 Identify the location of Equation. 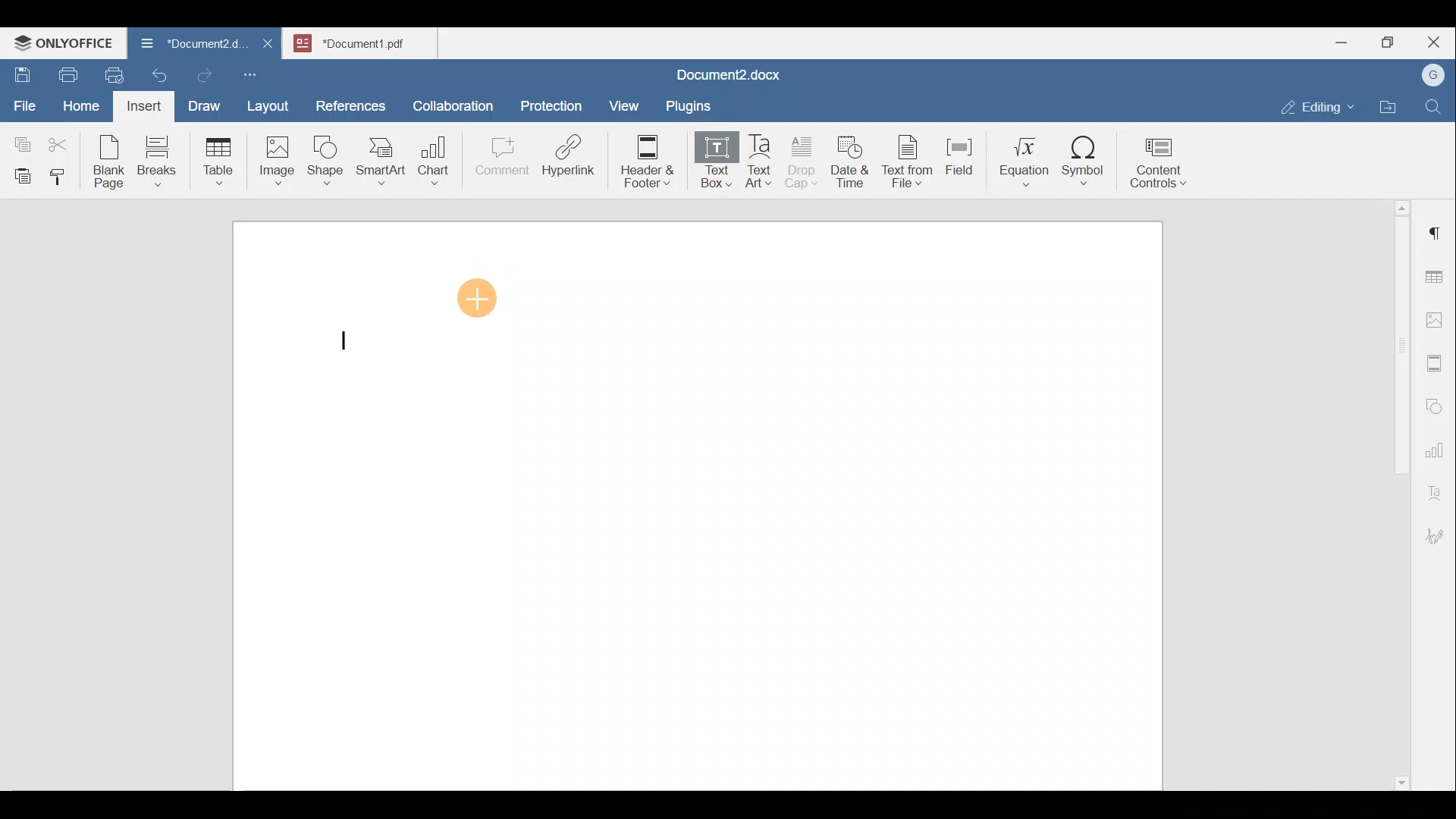
(1028, 161).